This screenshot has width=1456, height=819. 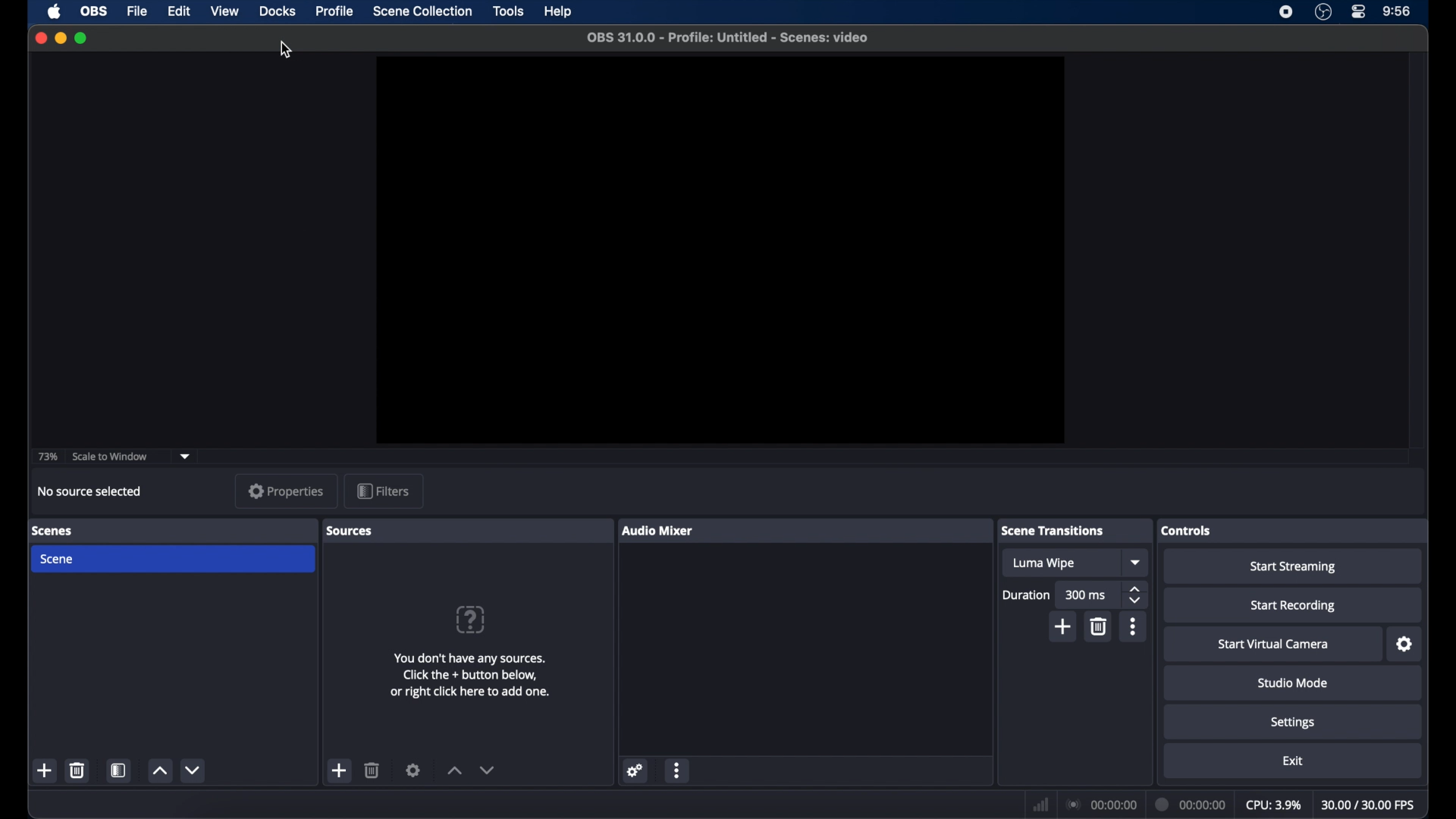 What do you see at coordinates (137, 12) in the screenshot?
I see `file` at bounding box center [137, 12].